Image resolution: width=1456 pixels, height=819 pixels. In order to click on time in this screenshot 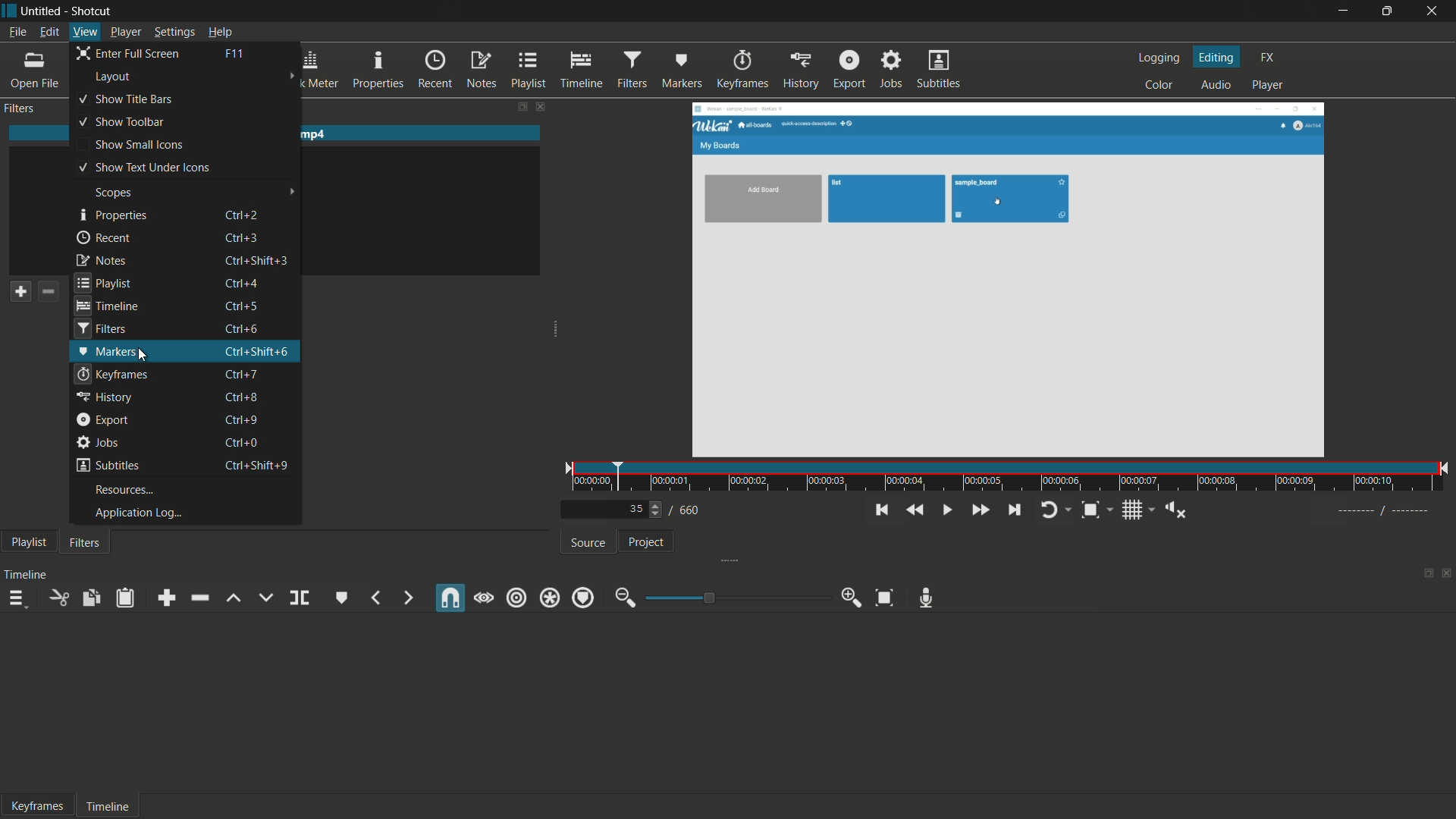, I will do `click(1009, 476)`.